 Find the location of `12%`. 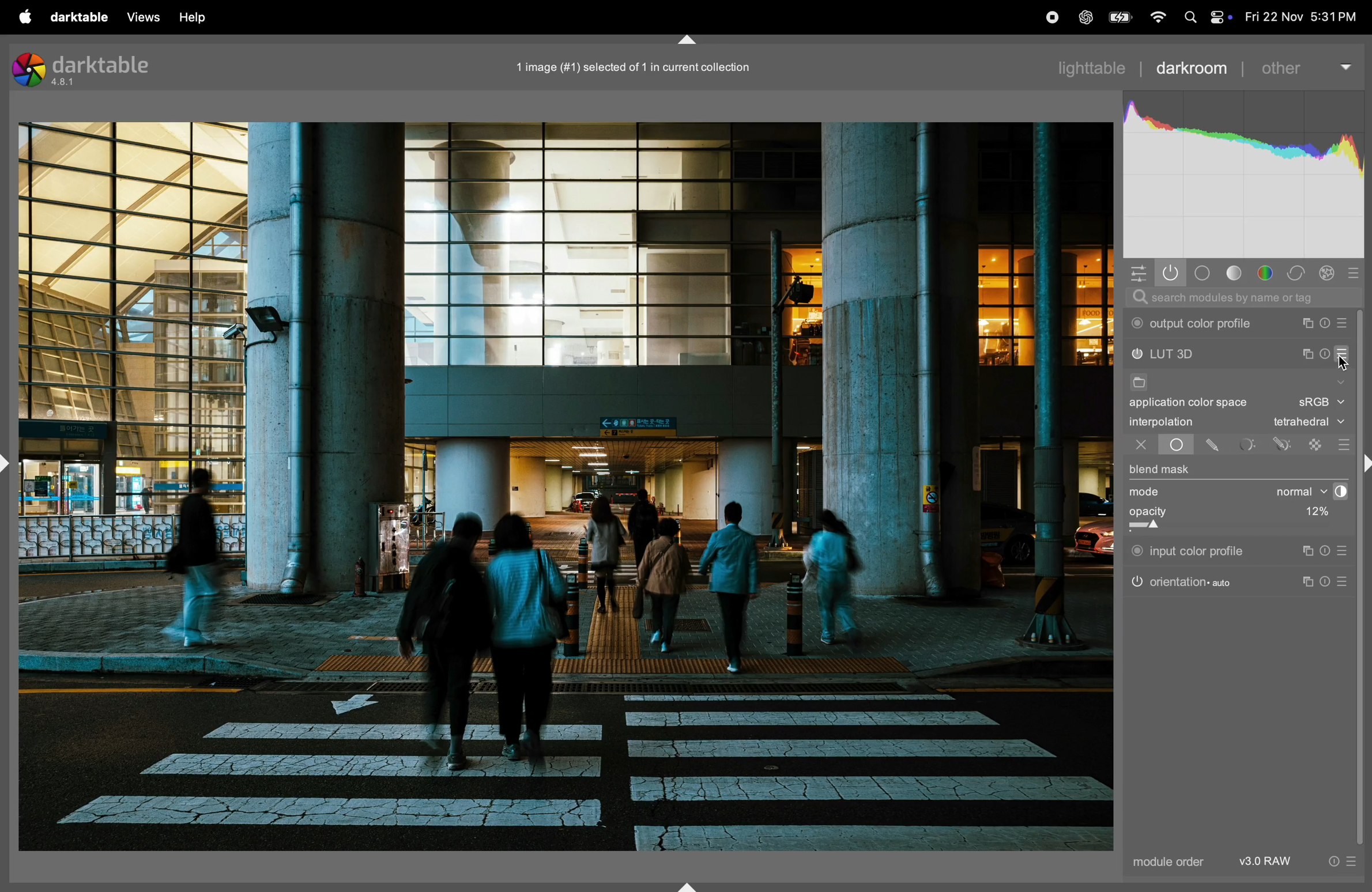

12% is located at coordinates (1314, 513).